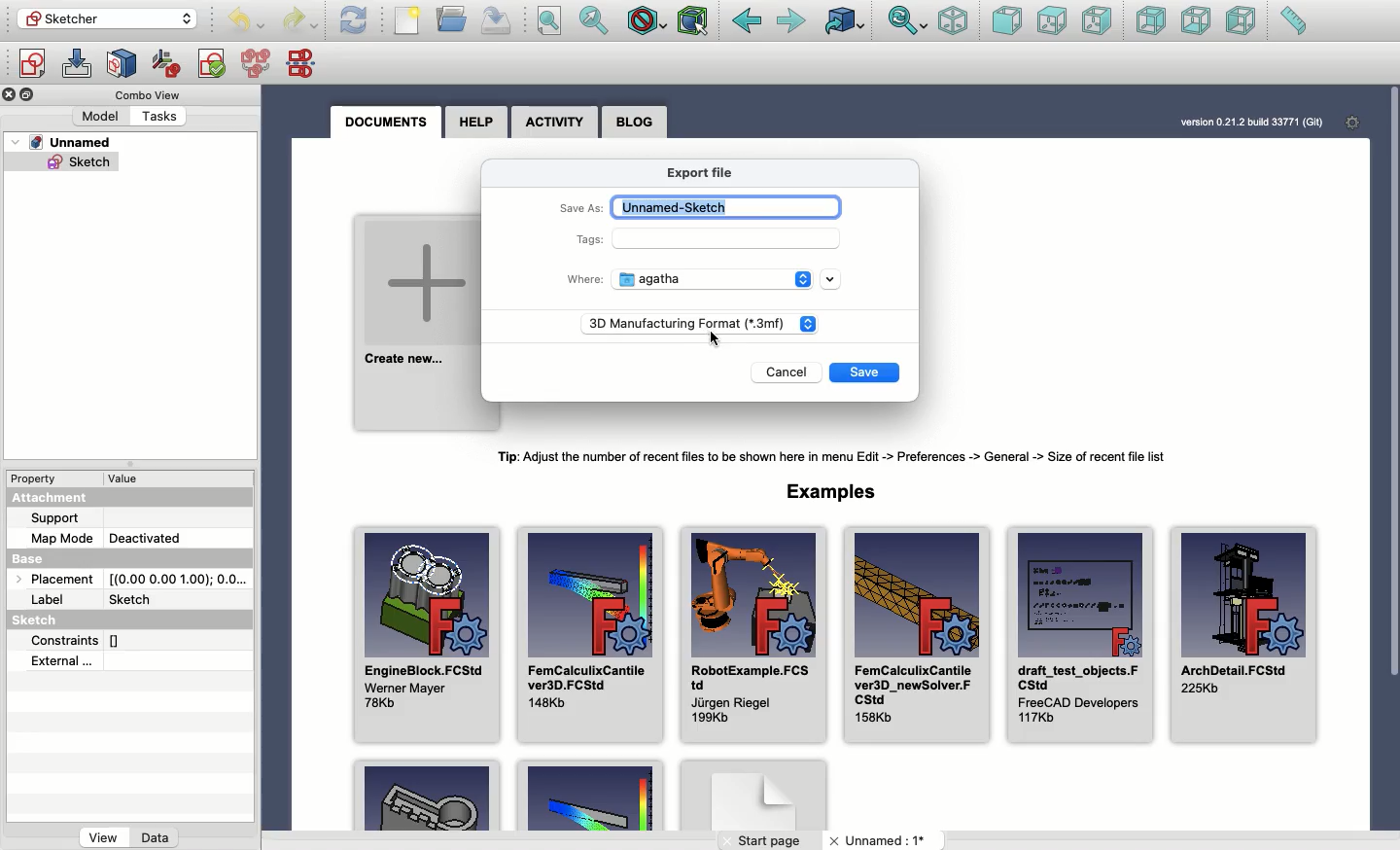  What do you see at coordinates (755, 796) in the screenshot?
I see `Example 3` at bounding box center [755, 796].